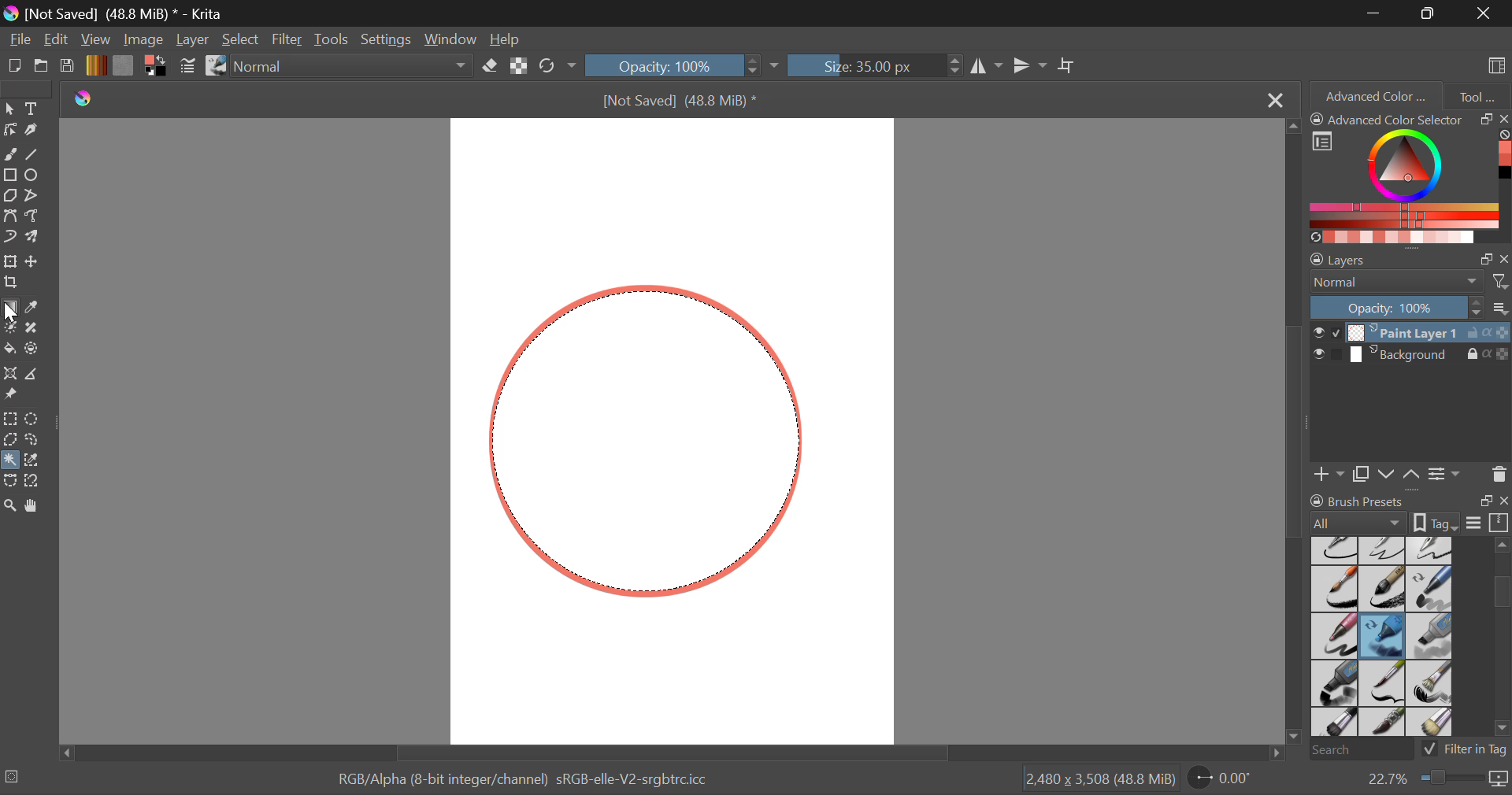  What do you see at coordinates (123, 65) in the screenshot?
I see `Texture` at bounding box center [123, 65].